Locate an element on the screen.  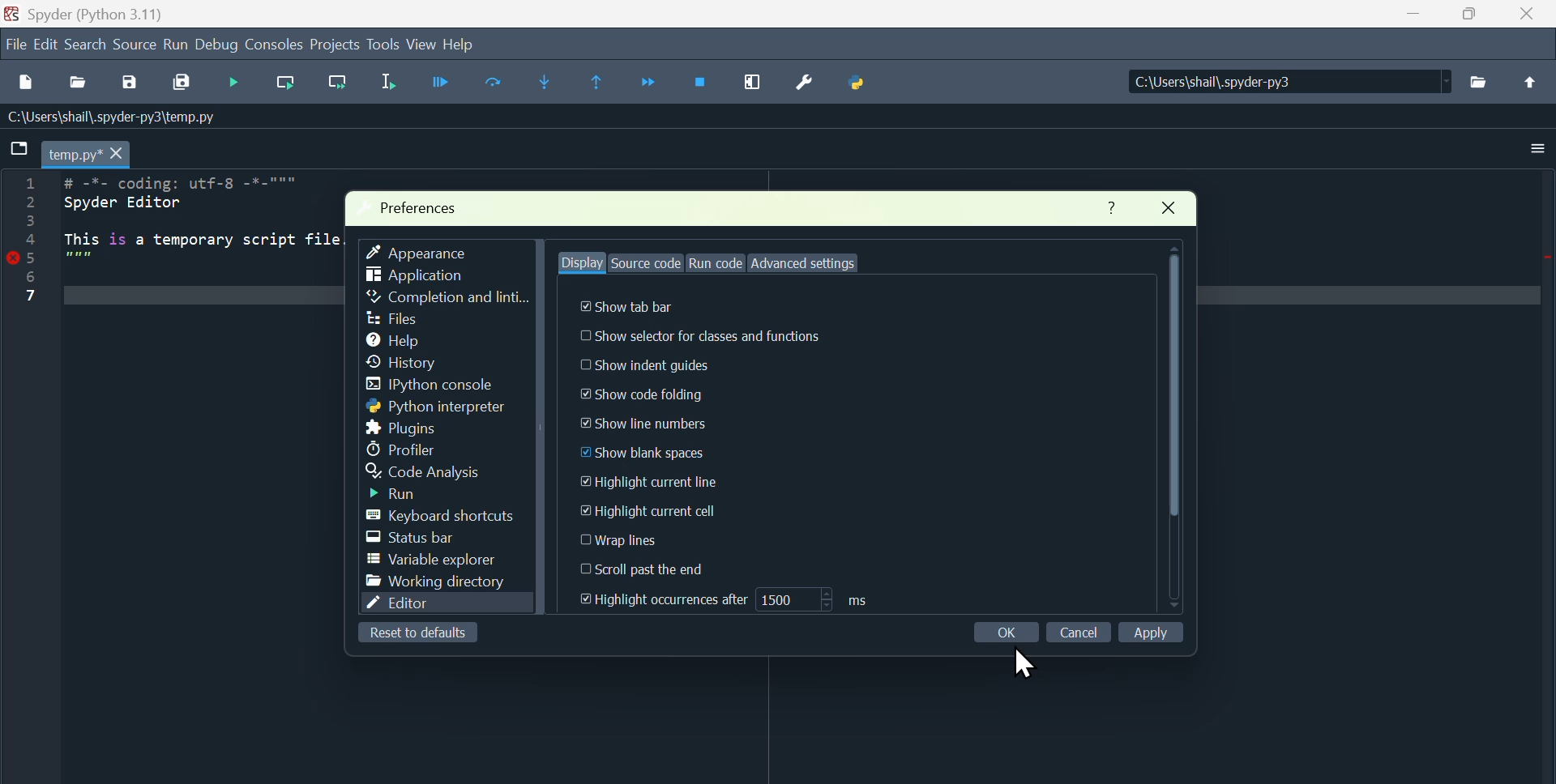
help is located at coordinates (471, 46).